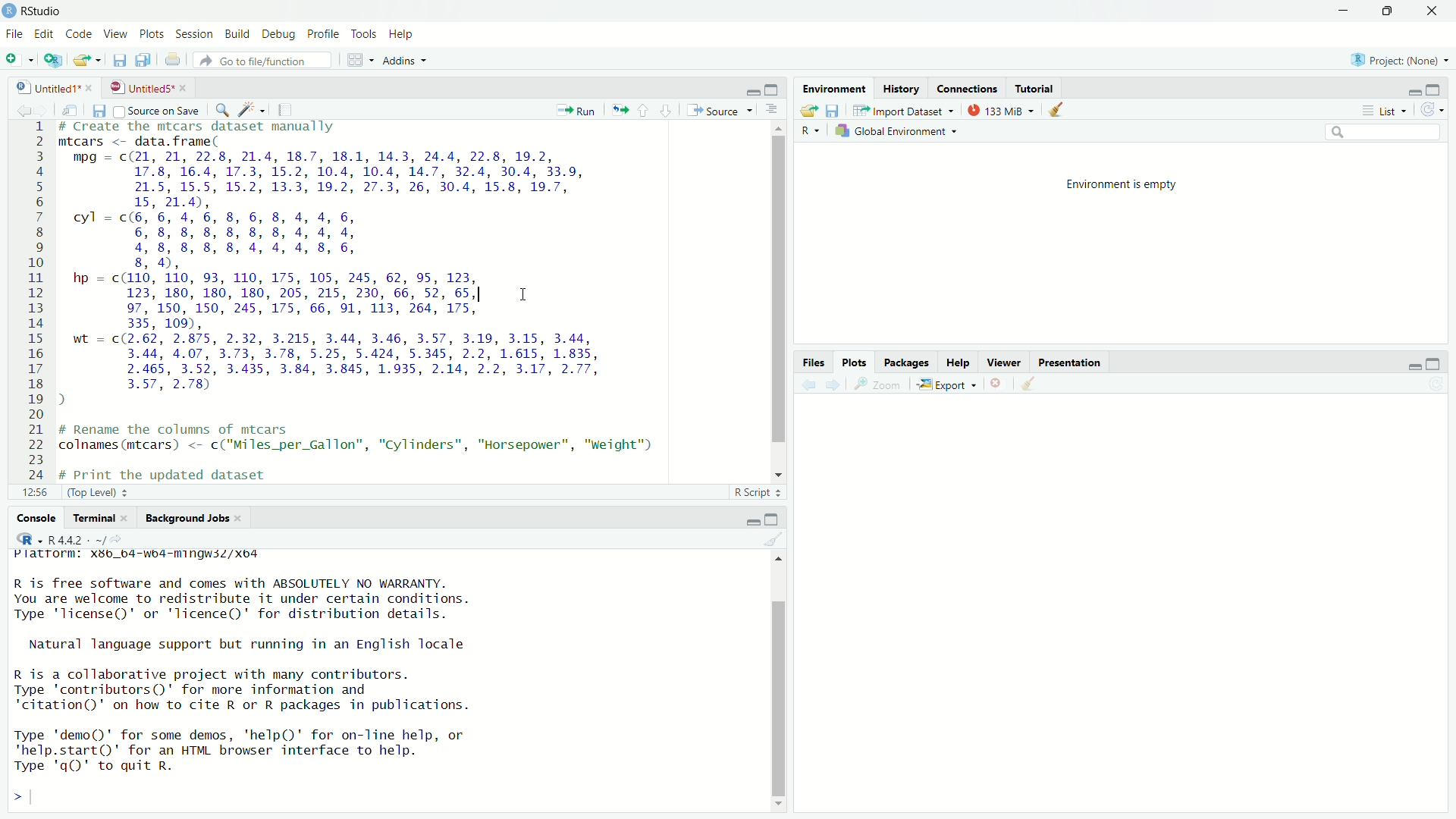  Describe the element at coordinates (14, 33) in the screenshot. I see `File` at that location.